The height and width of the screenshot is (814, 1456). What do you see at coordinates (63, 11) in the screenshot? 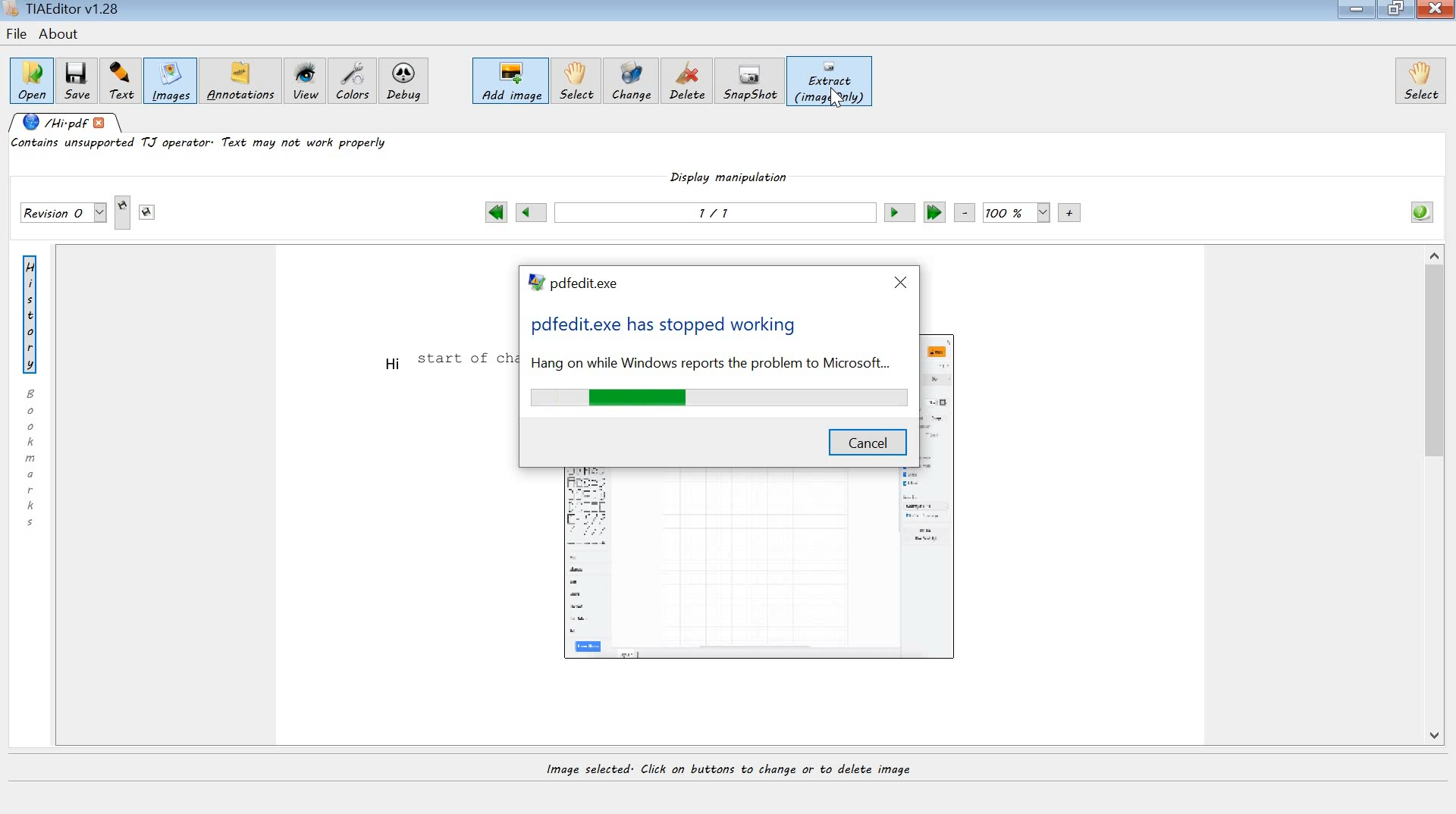
I see `system name` at bounding box center [63, 11].